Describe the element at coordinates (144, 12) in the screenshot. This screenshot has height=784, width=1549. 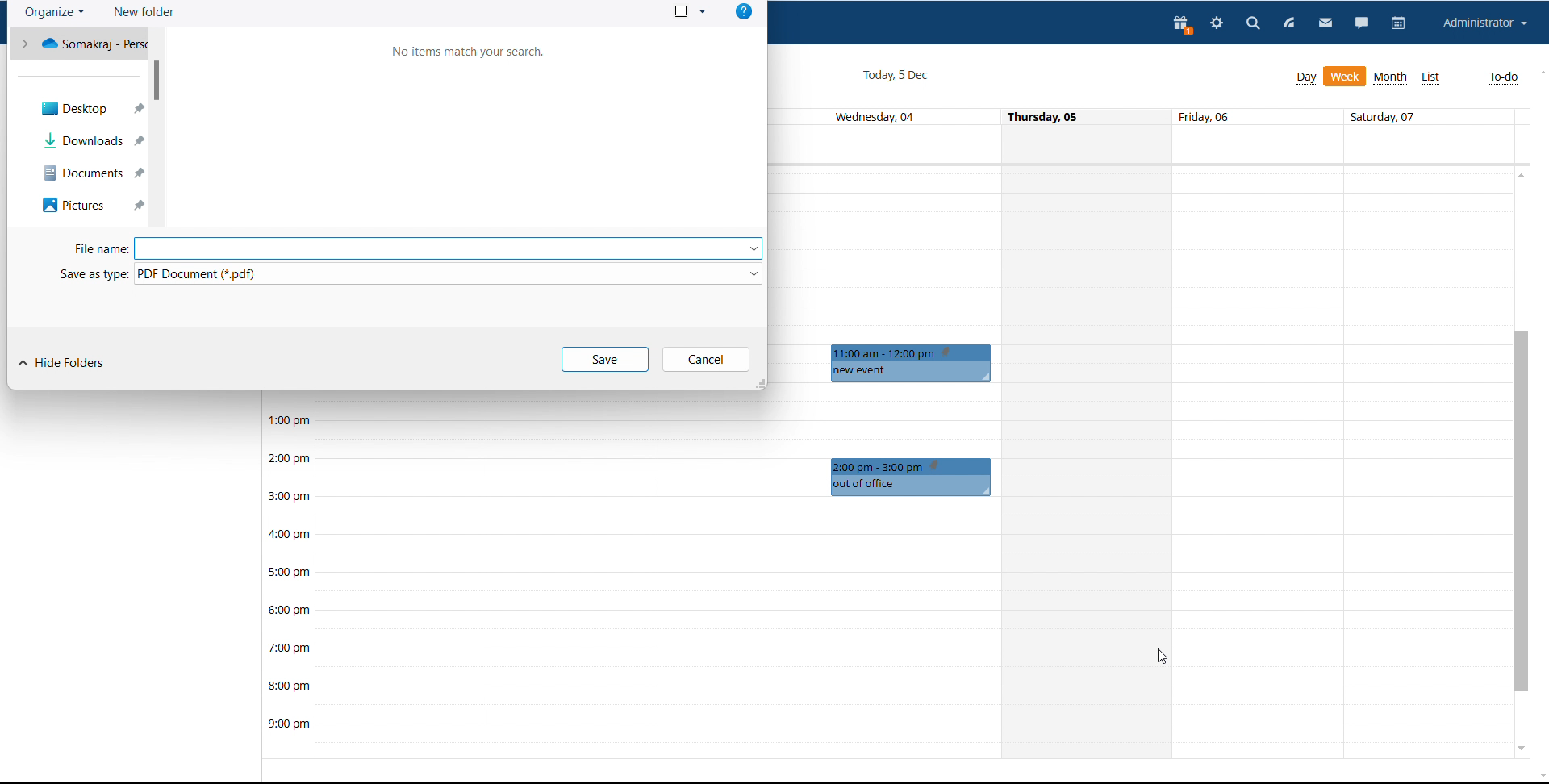
I see `new folder` at that location.